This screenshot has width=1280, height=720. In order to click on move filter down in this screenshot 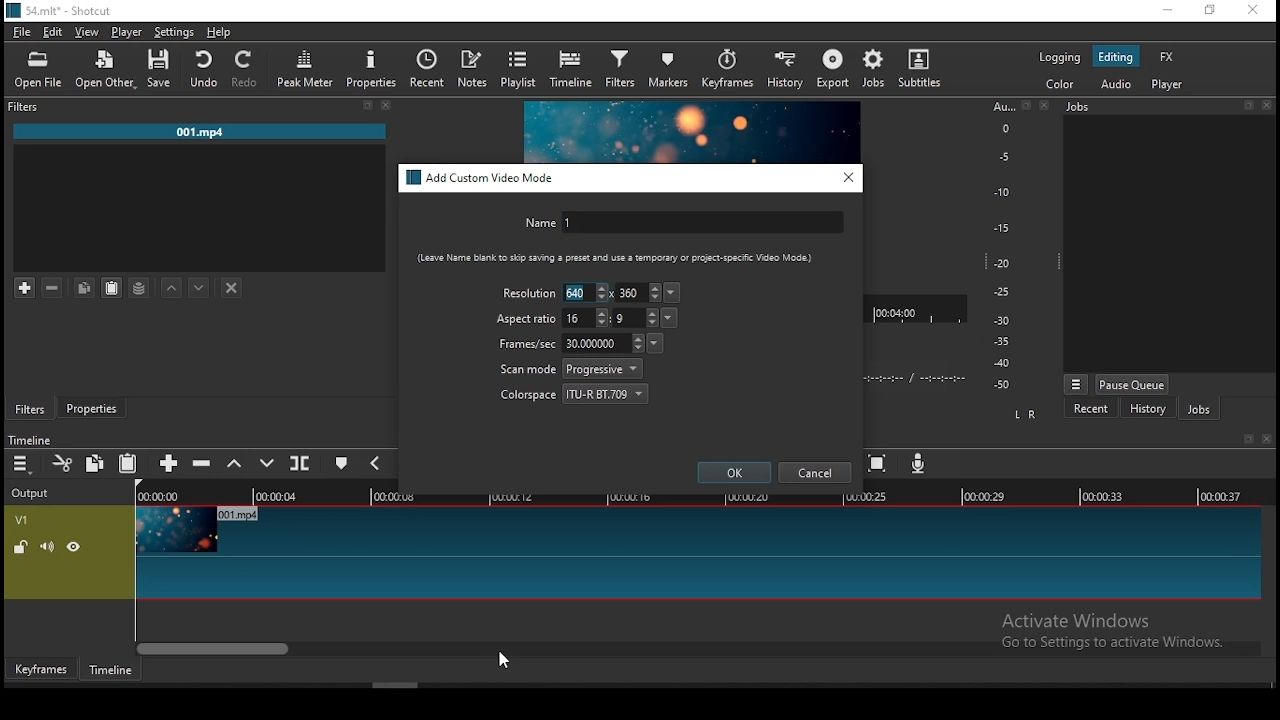, I will do `click(199, 288)`.